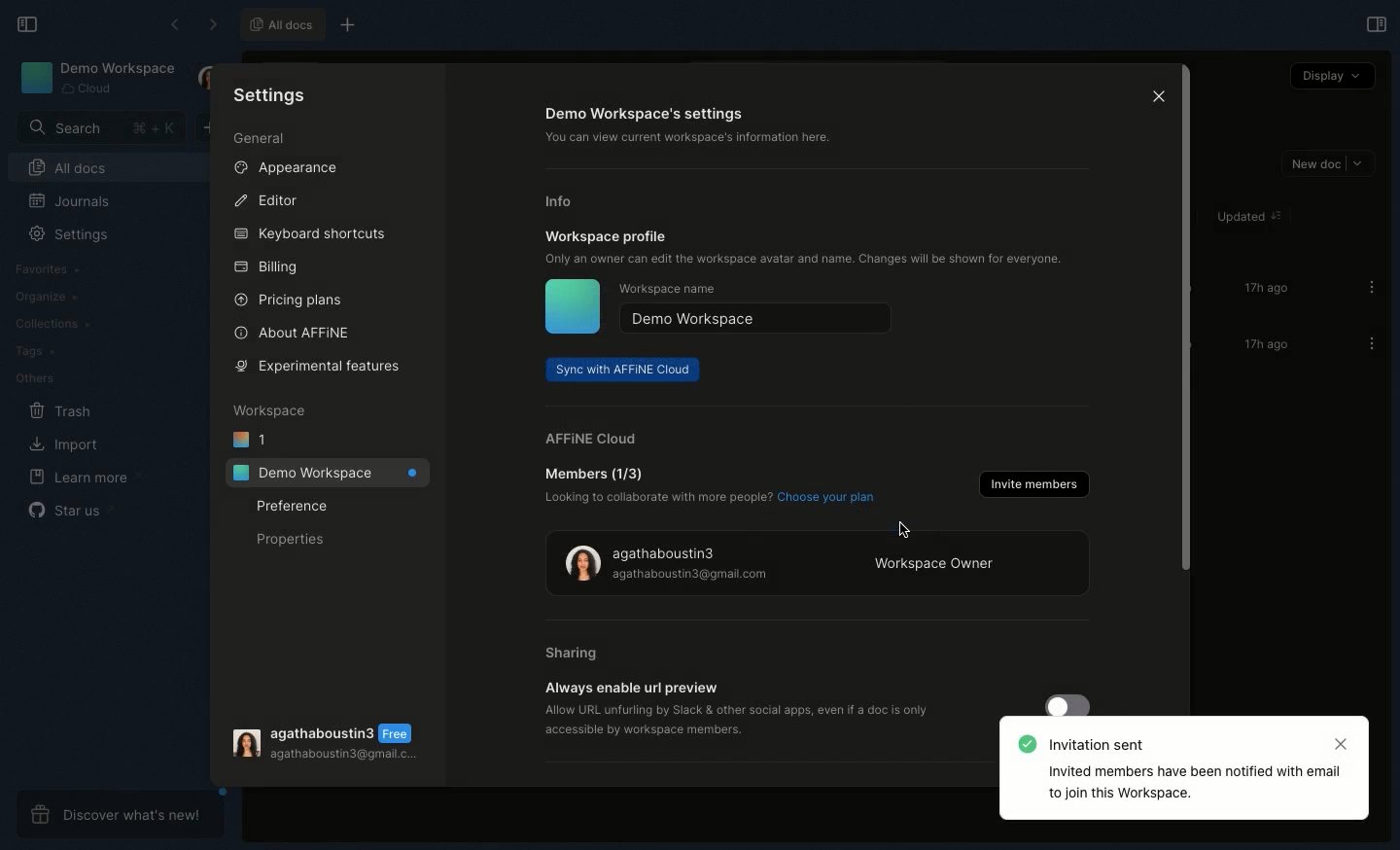 Image resolution: width=1400 pixels, height=850 pixels. What do you see at coordinates (573, 654) in the screenshot?
I see `Sharing` at bounding box center [573, 654].